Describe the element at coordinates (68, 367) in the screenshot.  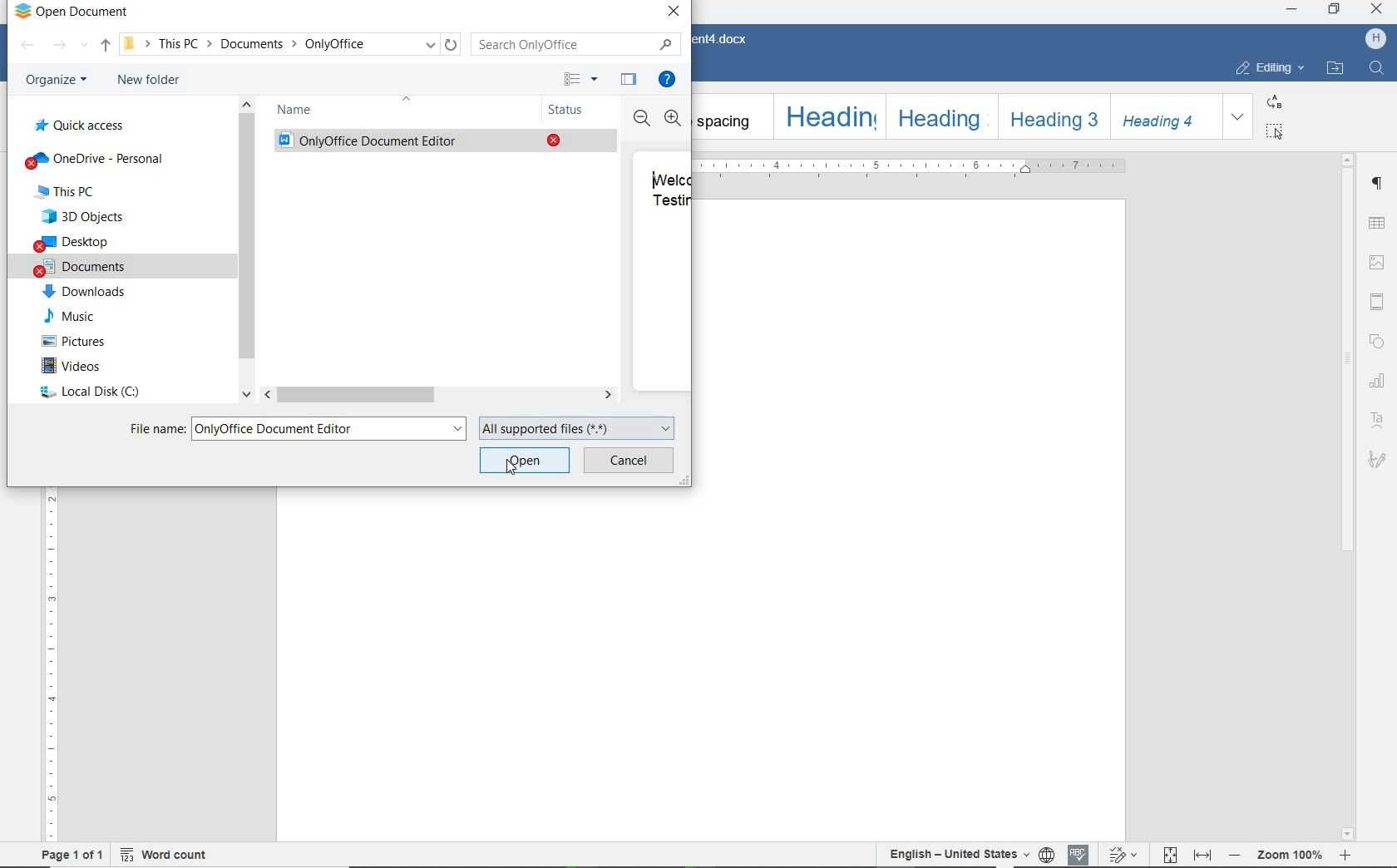
I see `videos` at that location.